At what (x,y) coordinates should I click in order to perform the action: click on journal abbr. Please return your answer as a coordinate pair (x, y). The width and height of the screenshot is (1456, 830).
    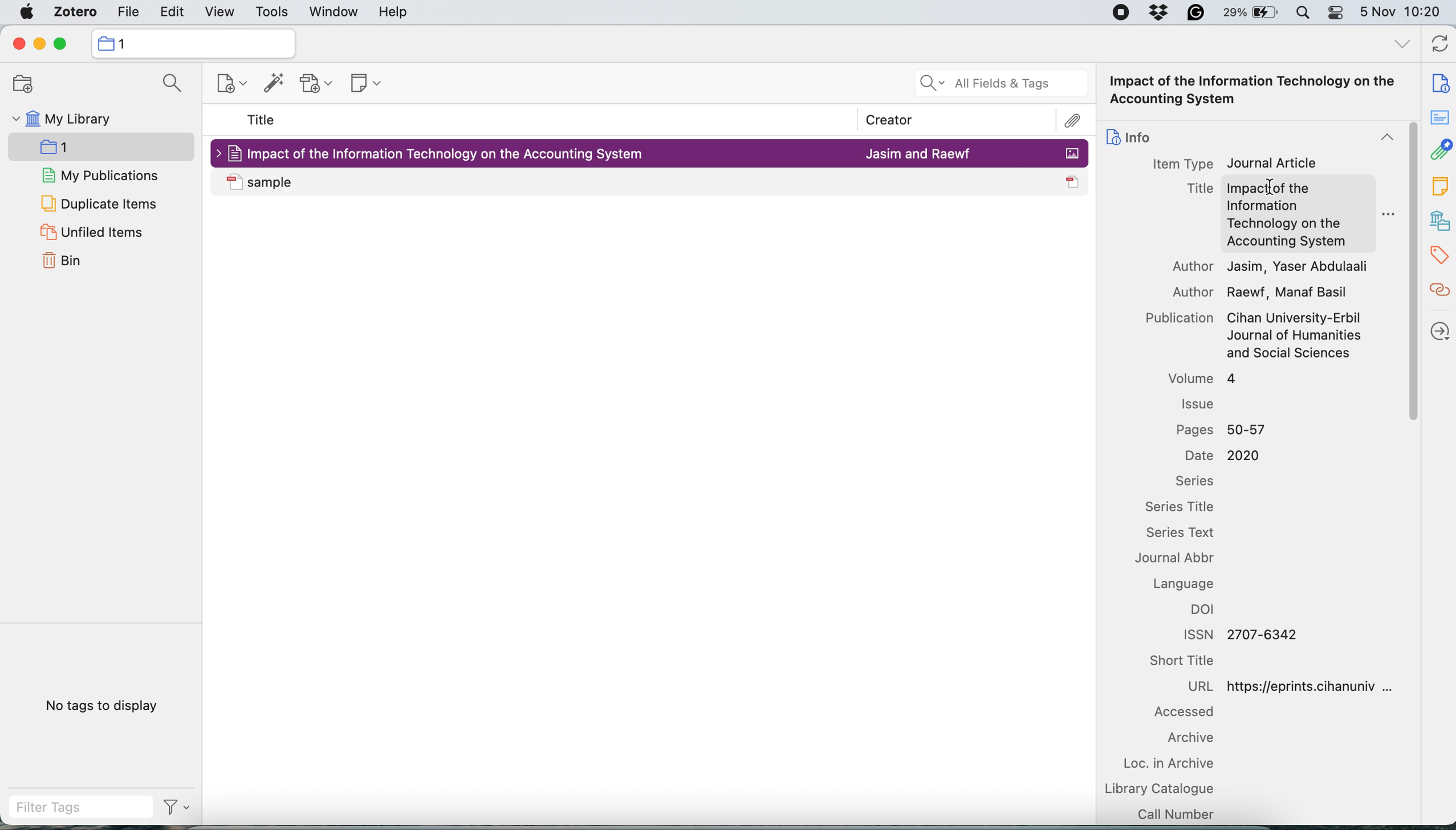
    Looking at the image, I should click on (1181, 558).